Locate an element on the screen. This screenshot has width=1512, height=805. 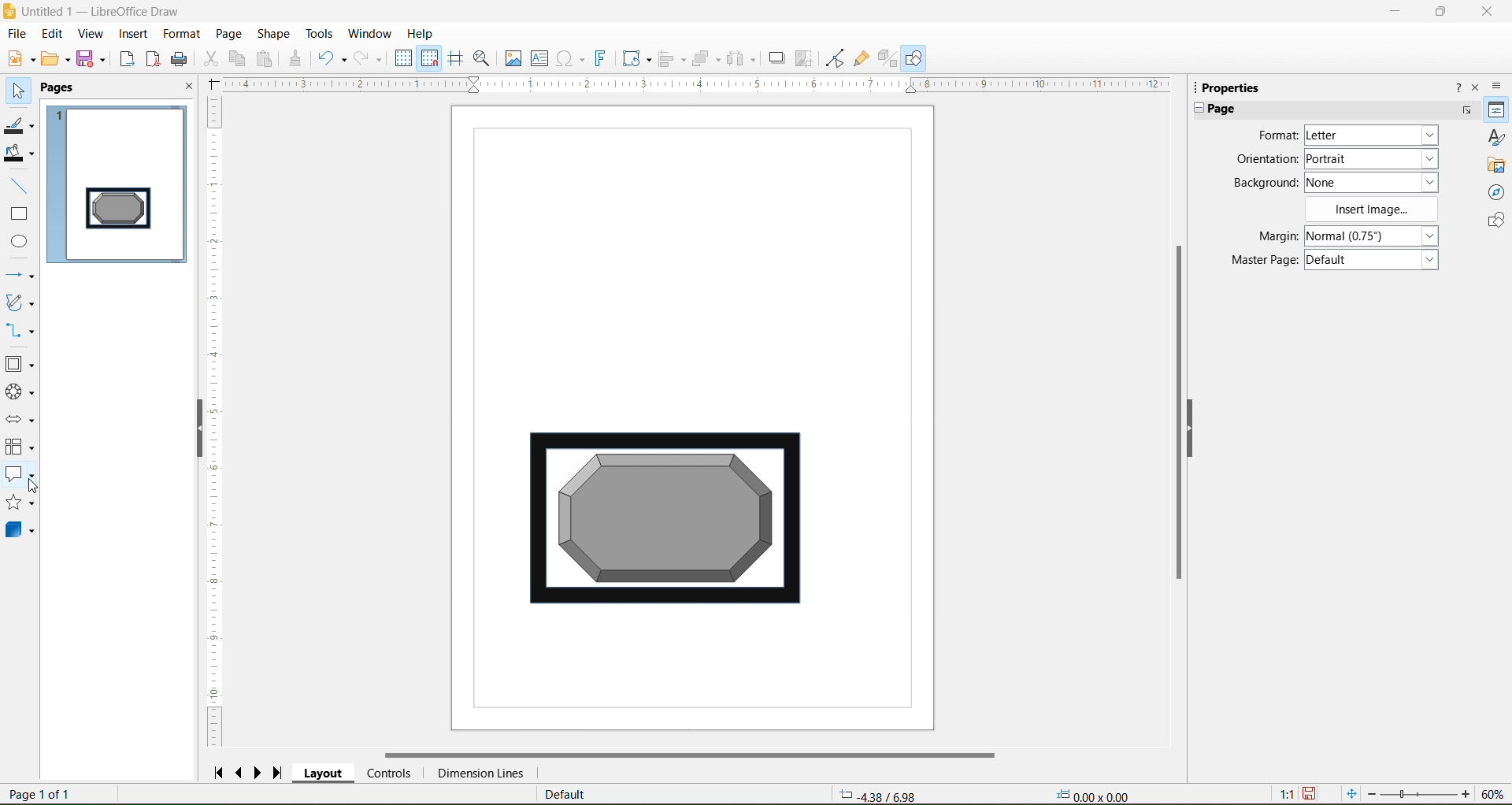
slider is located at coordinates (1418, 795).